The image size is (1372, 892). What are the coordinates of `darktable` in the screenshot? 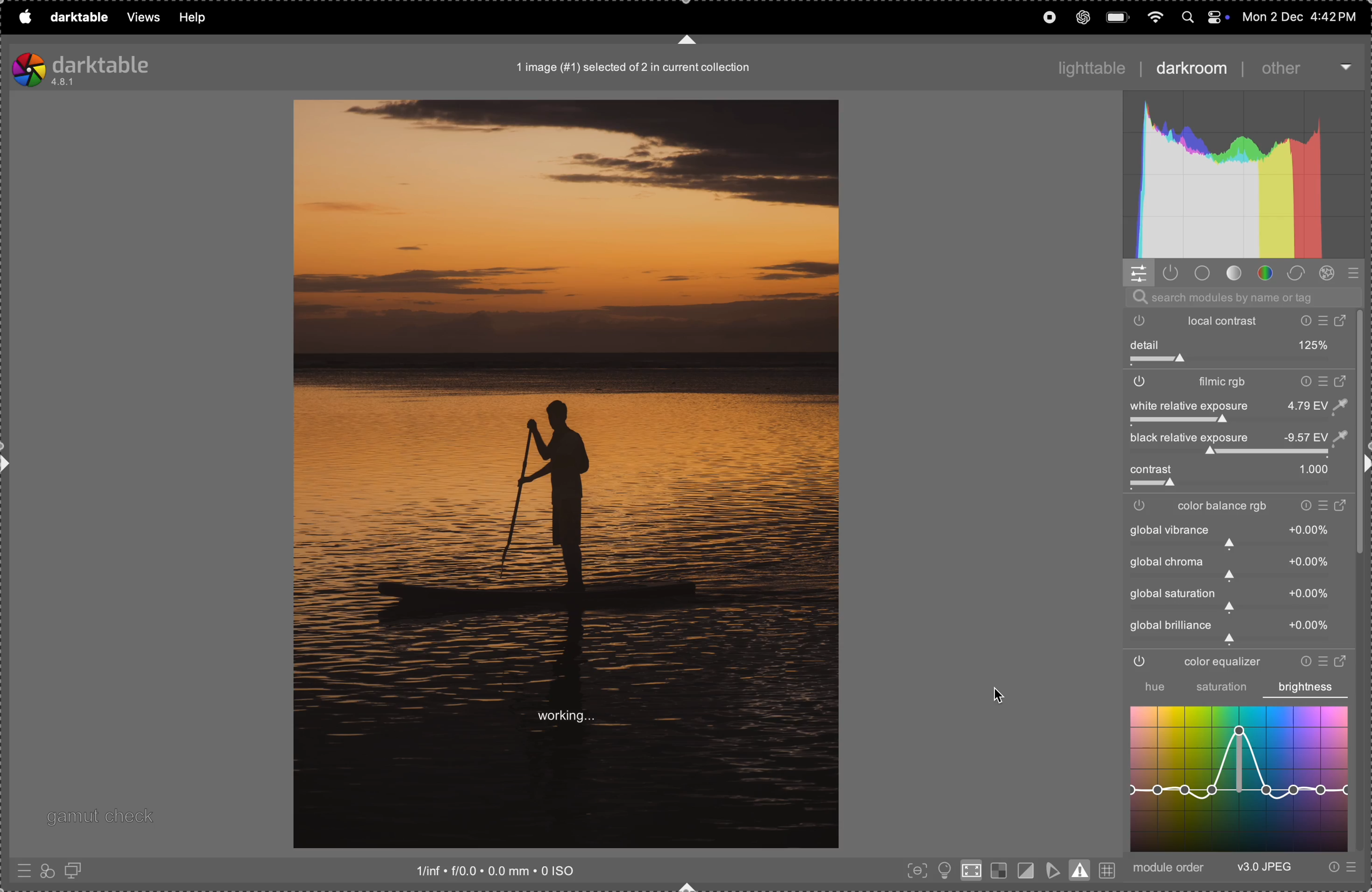 It's located at (76, 16).